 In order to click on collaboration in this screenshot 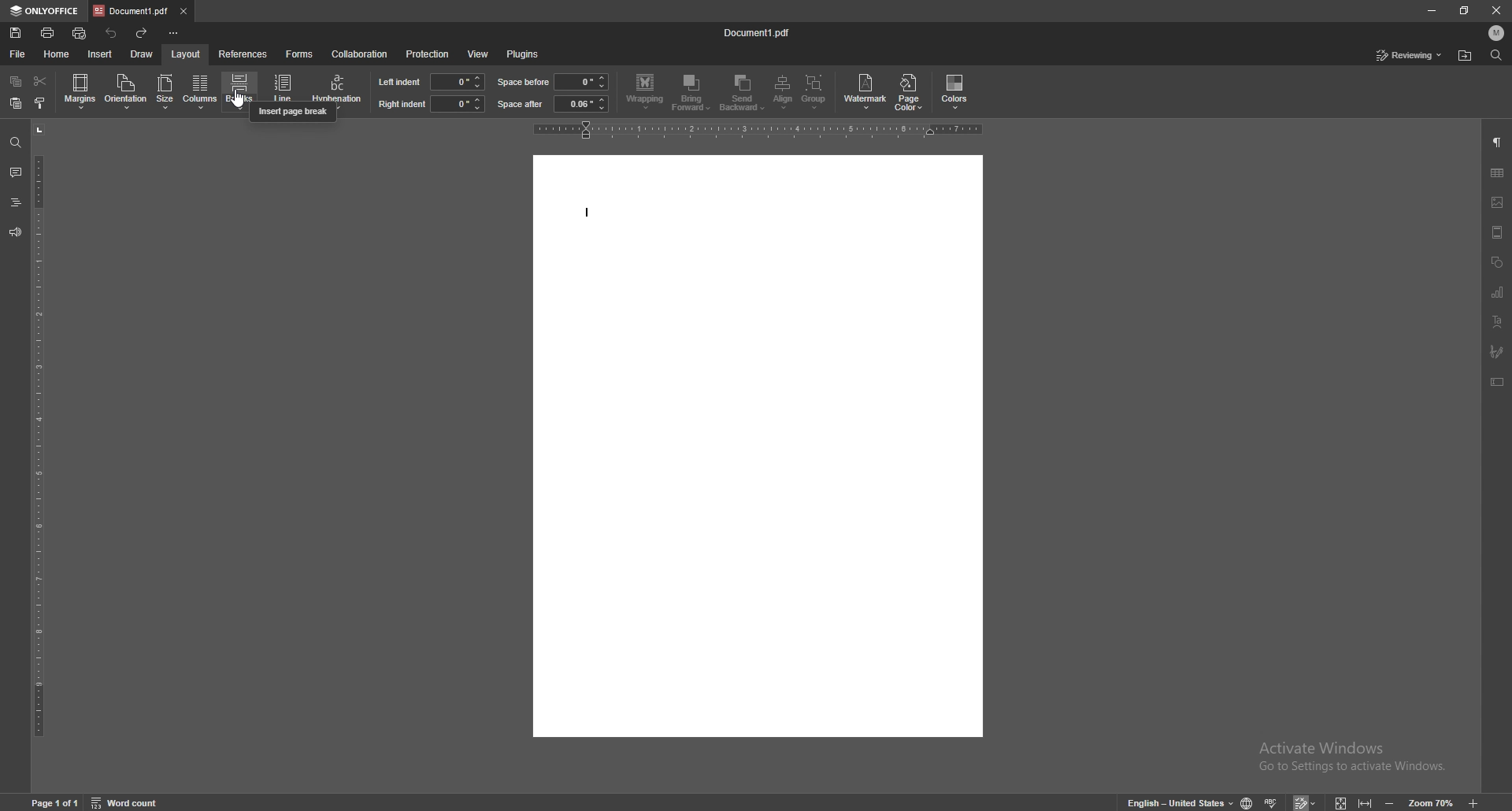, I will do `click(361, 54)`.